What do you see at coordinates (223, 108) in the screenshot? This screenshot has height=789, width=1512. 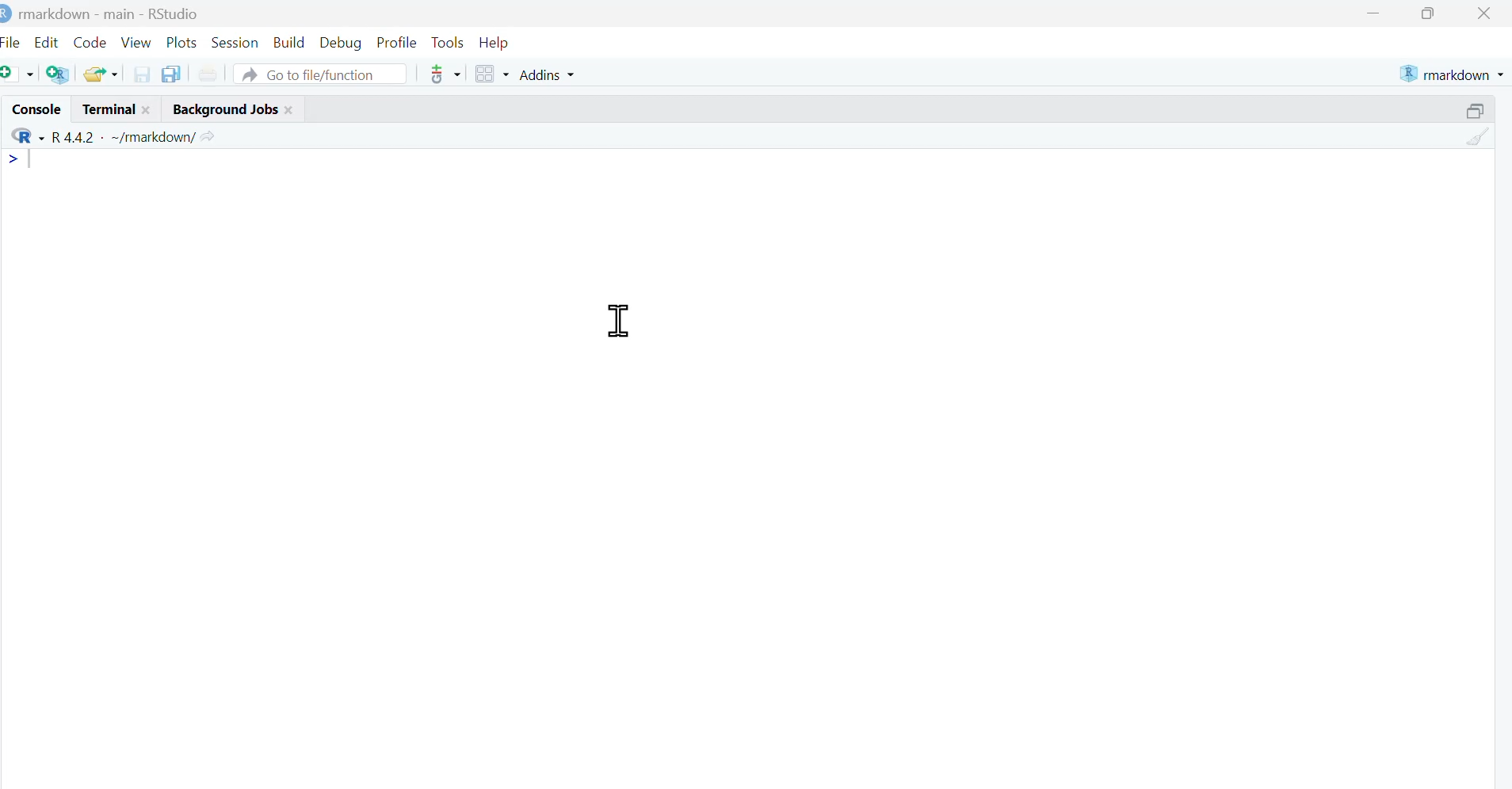 I see `Background Jobs` at bounding box center [223, 108].